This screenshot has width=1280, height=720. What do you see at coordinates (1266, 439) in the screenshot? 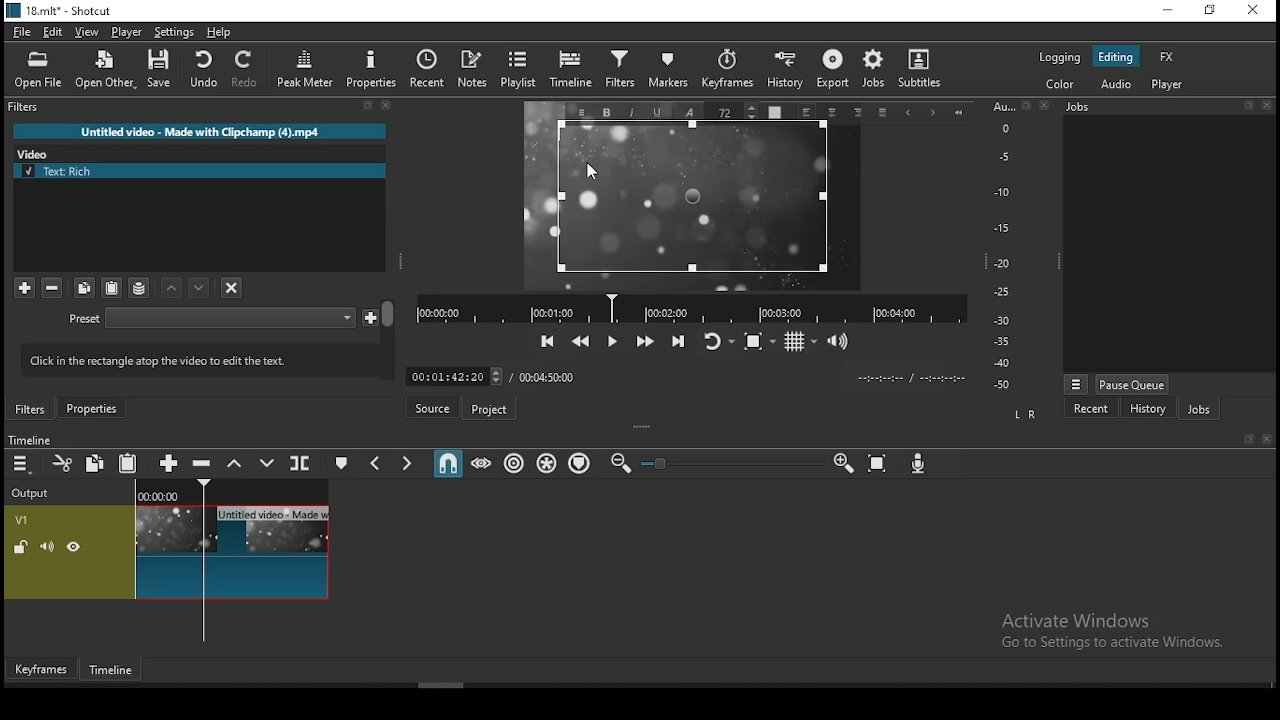
I see `Close` at bounding box center [1266, 439].